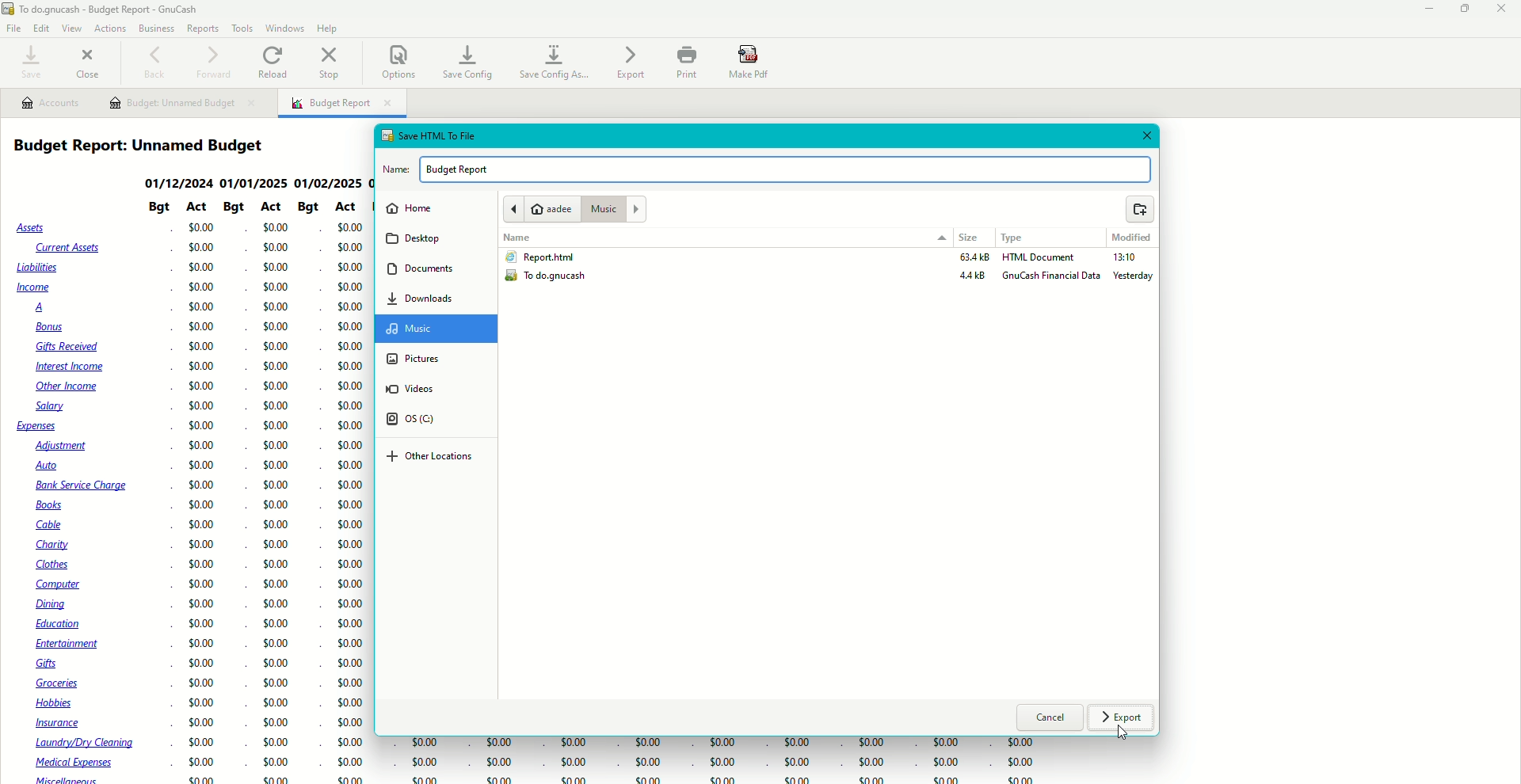 This screenshot has width=1521, height=784. Describe the element at coordinates (154, 63) in the screenshot. I see `Back` at that location.